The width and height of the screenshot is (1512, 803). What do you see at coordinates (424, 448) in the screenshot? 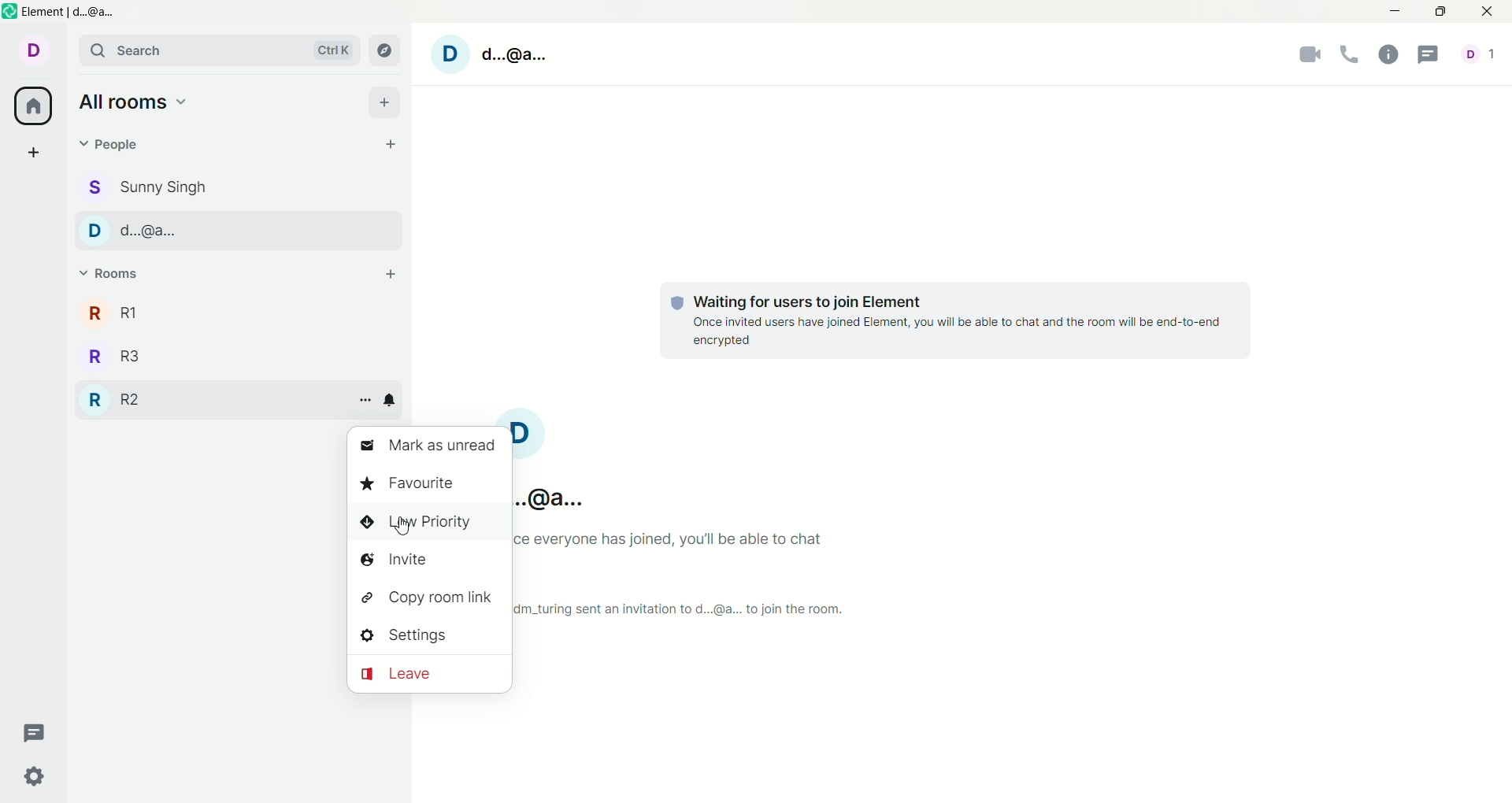
I see `mark as unread` at bounding box center [424, 448].